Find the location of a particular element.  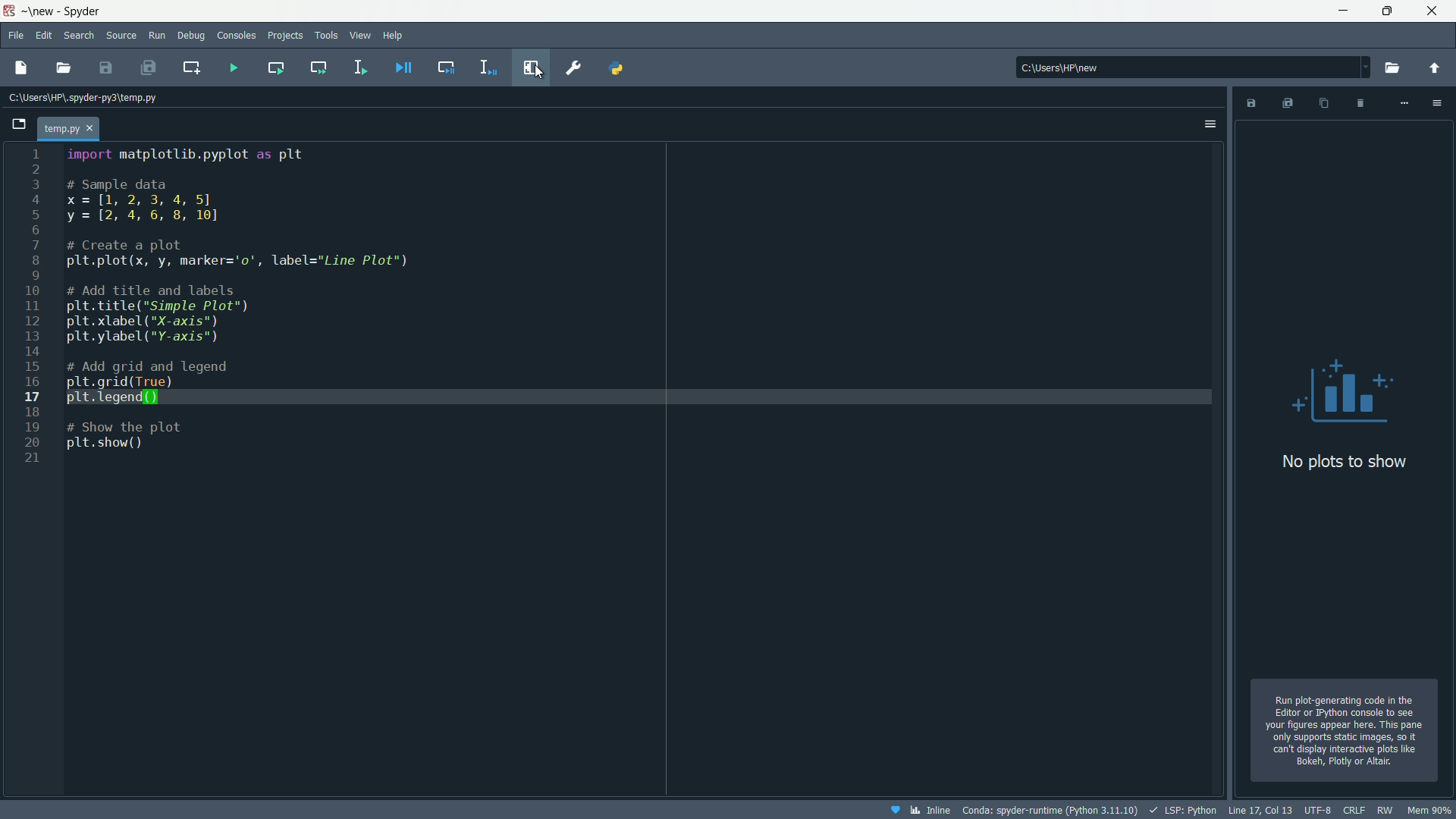

open file is located at coordinates (60, 68).